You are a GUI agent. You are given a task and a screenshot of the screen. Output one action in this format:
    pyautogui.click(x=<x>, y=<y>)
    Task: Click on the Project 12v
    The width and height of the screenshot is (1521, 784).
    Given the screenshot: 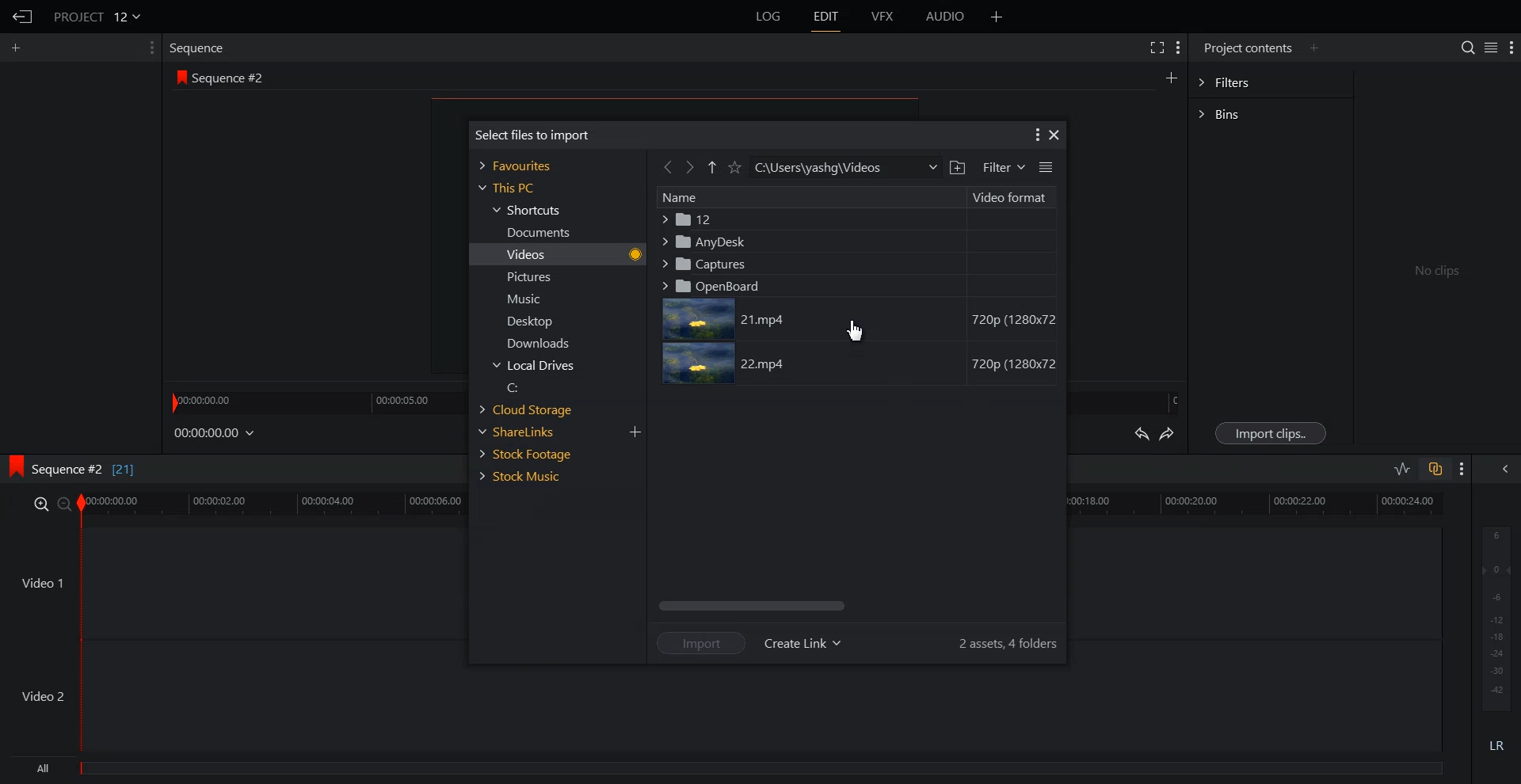 What is the action you would take?
    pyautogui.click(x=97, y=16)
    